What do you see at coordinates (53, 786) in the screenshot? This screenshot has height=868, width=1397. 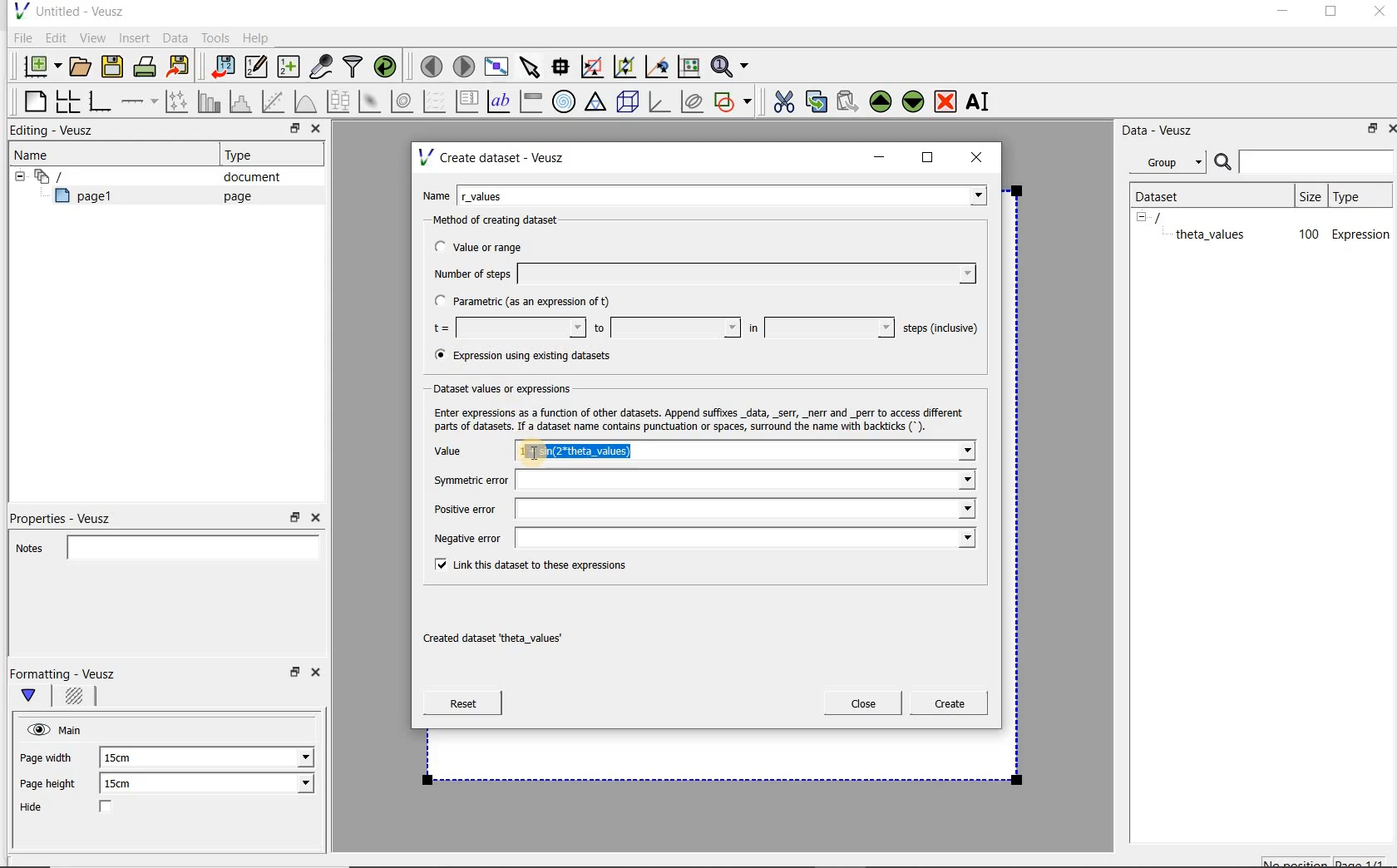 I see `Page height` at bounding box center [53, 786].